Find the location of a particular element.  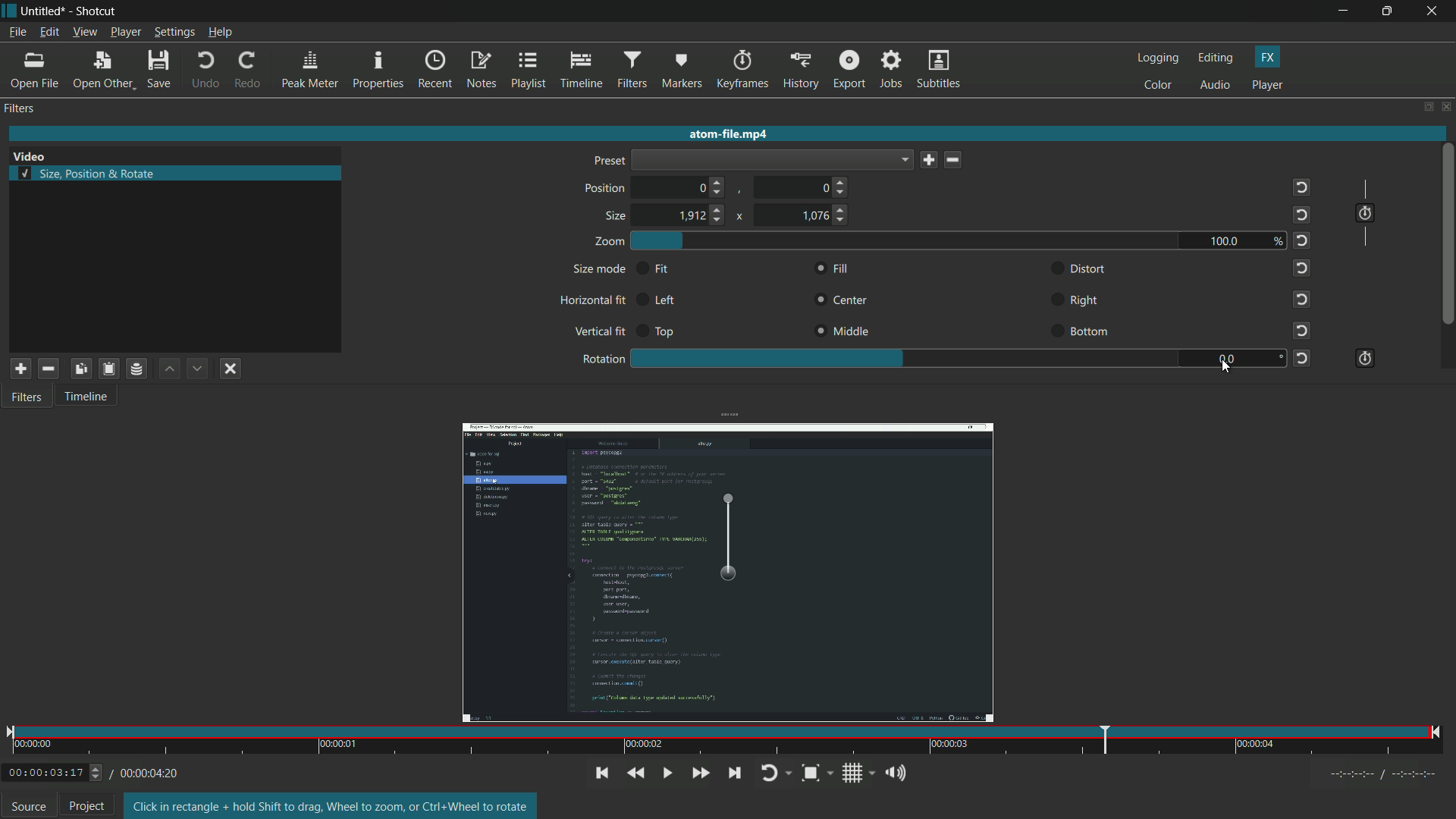

Project is located at coordinates (93, 805).